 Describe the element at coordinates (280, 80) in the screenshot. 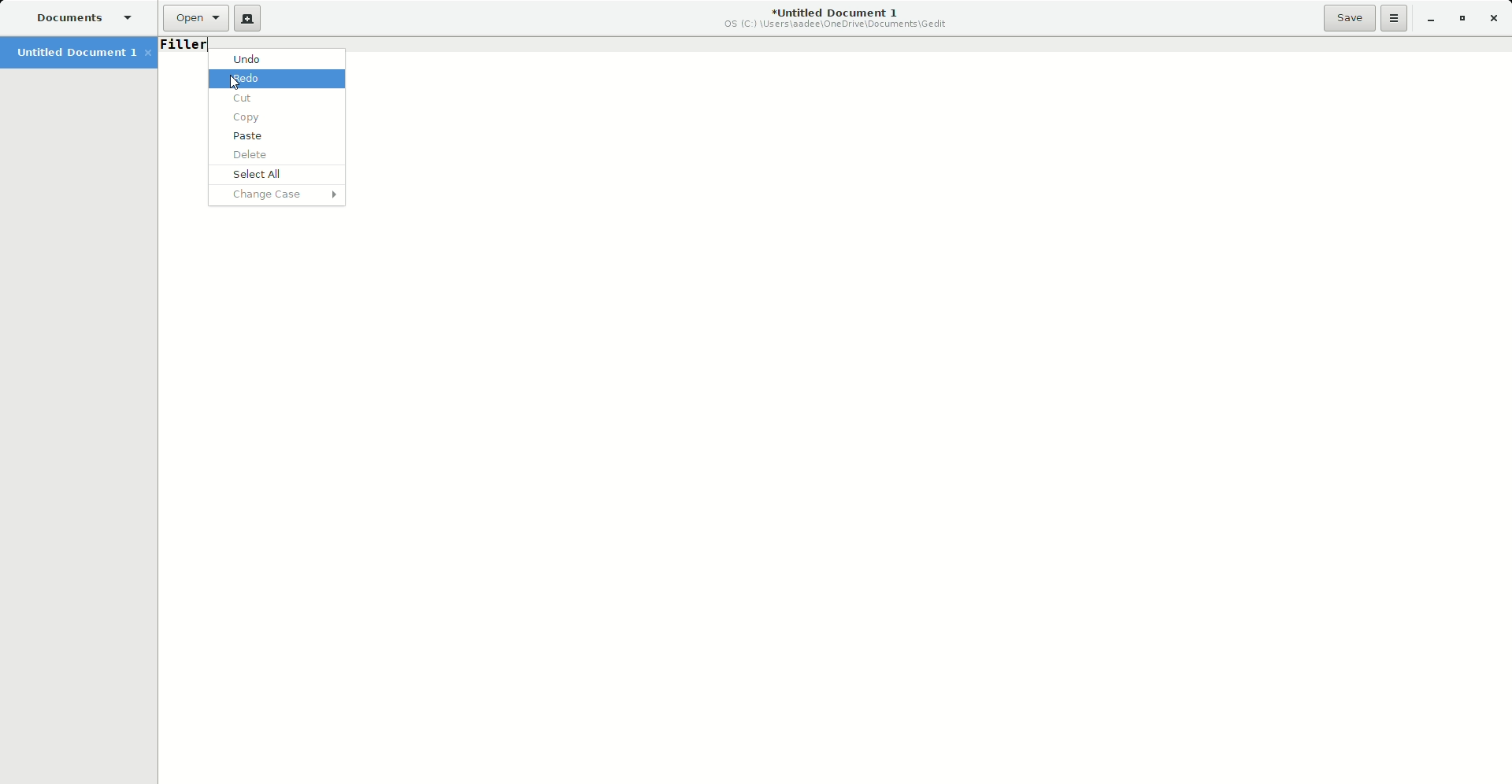

I see `Redo` at that location.